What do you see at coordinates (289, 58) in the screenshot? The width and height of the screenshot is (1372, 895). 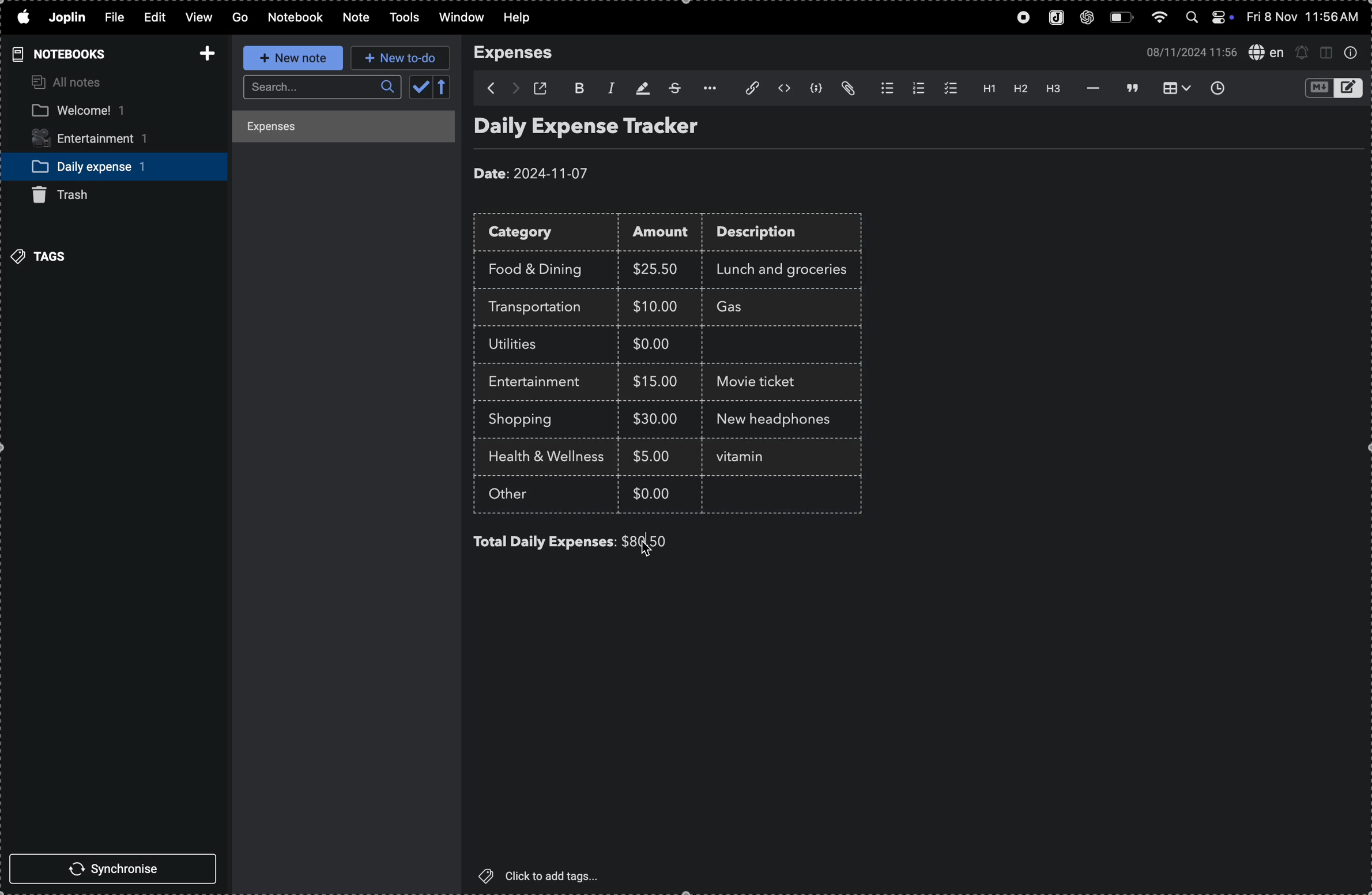 I see `new note` at bounding box center [289, 58].